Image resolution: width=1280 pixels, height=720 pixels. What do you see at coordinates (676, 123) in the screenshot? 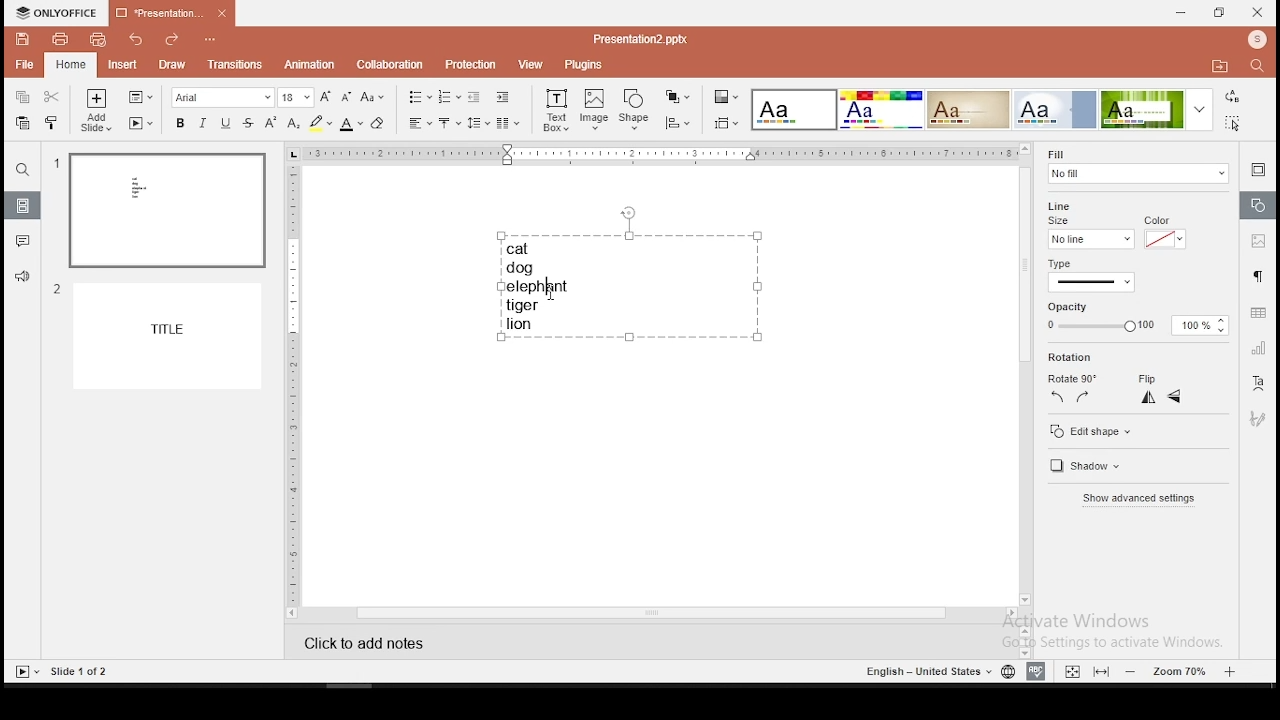
I see `align objects` at bounding box center [676, 123].